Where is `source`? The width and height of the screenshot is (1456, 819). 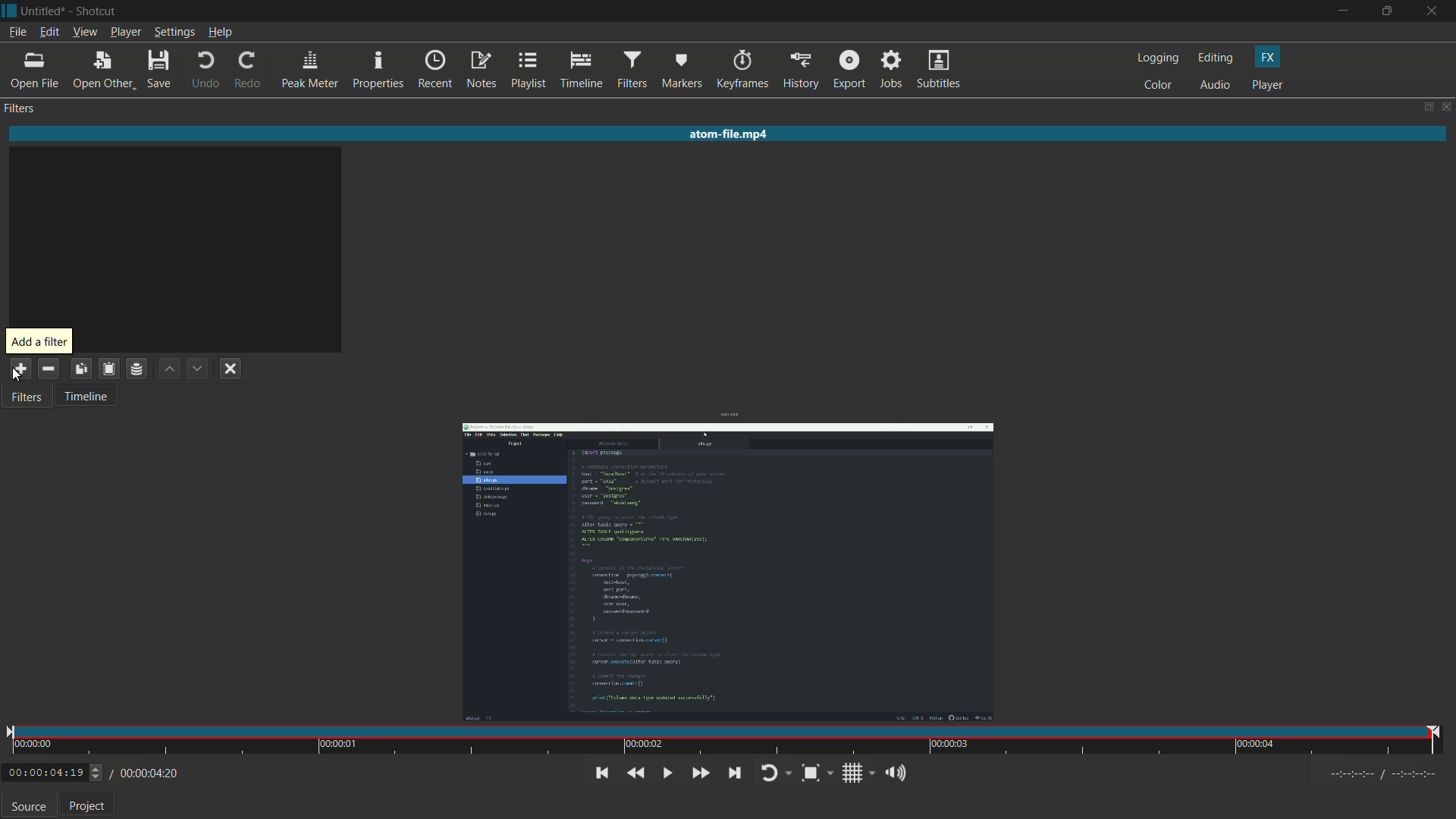 source is located at coordinates (28, 807).